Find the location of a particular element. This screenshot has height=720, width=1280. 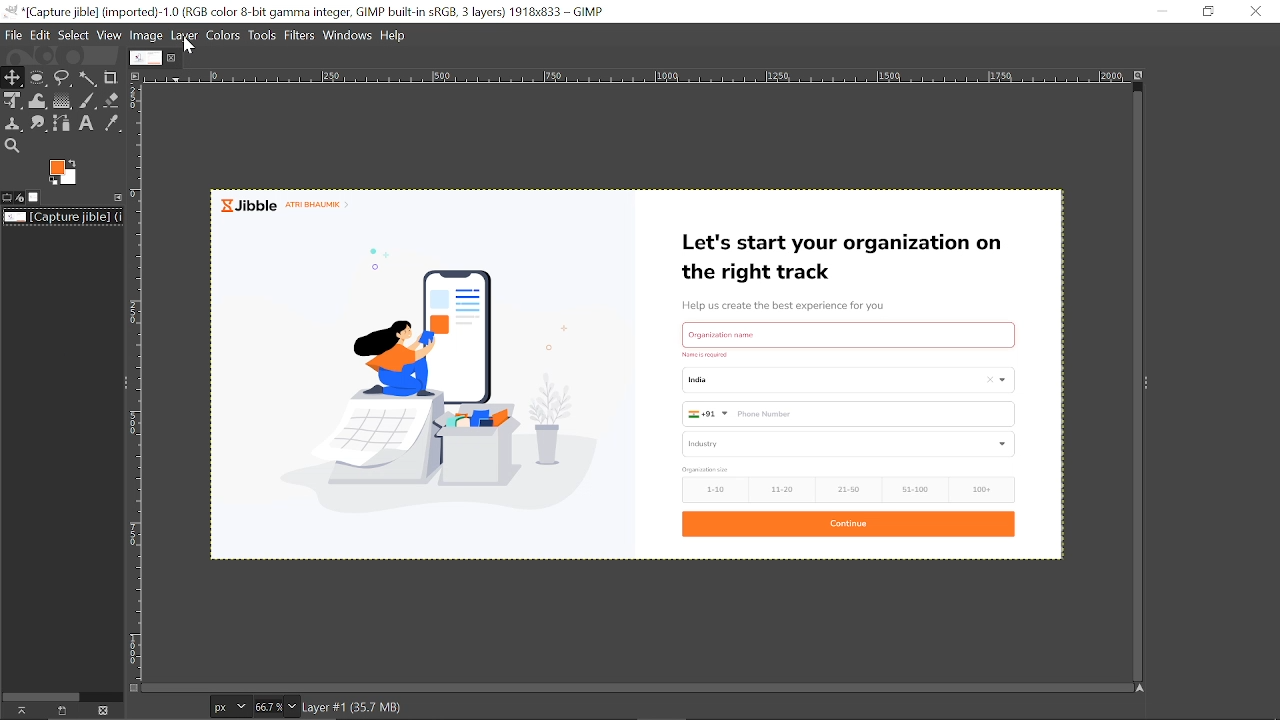

delete image is located at coordinates (103, 711).